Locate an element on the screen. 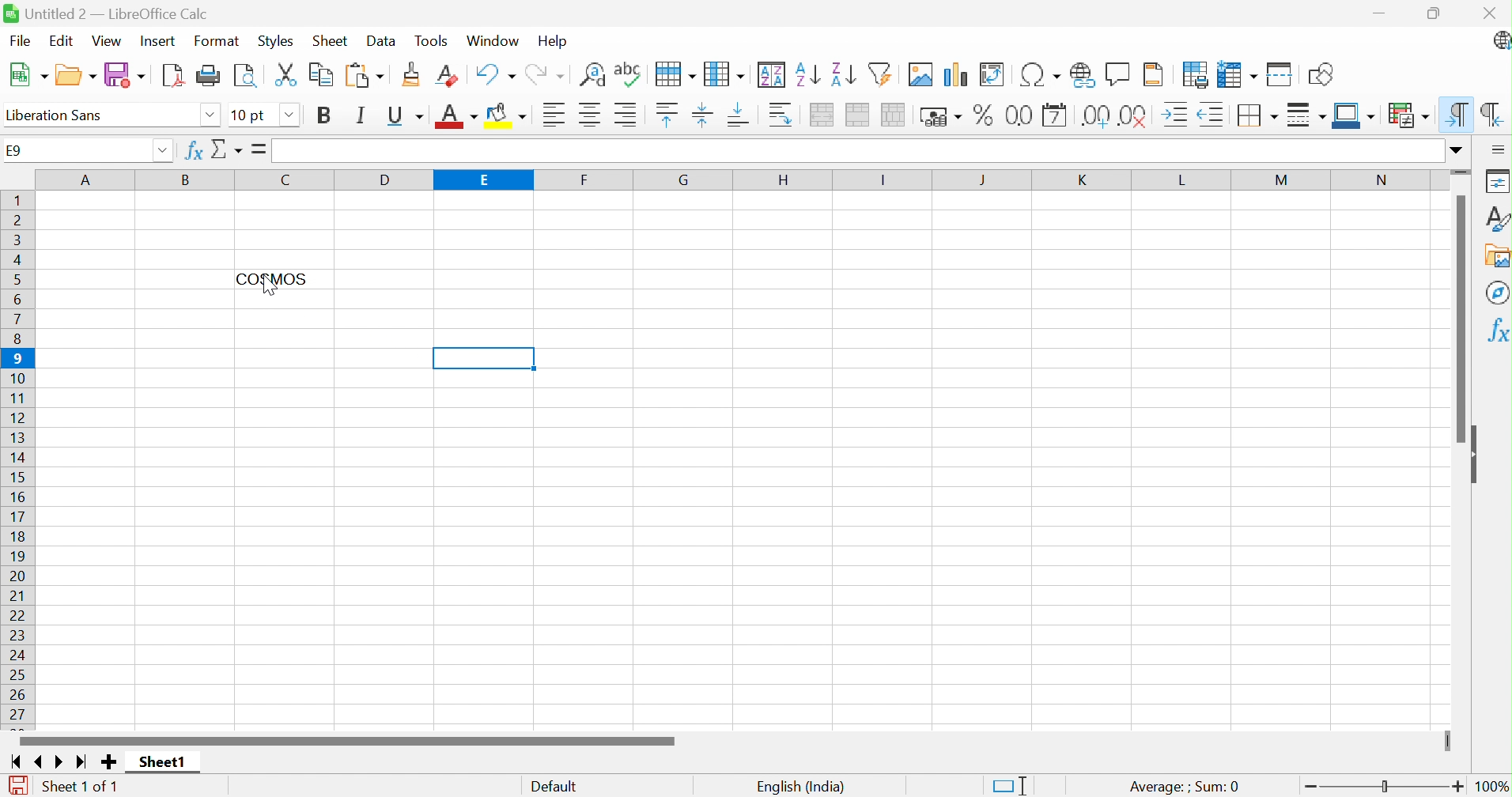 The height and width of the screenshot is (797, 1512). Drop down is located at coordinates (165, 149).